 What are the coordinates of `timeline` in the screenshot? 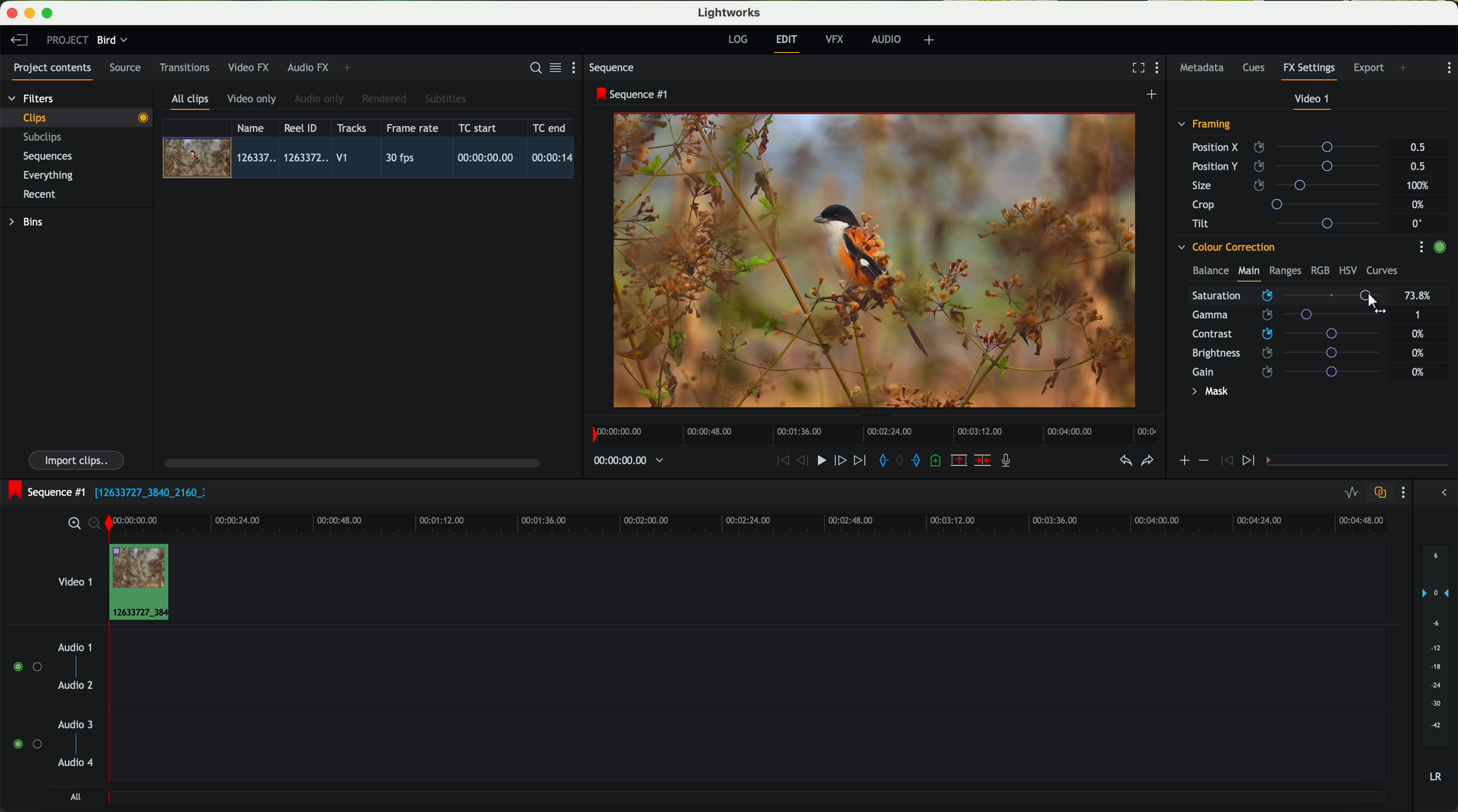 It's located at (871, 431).